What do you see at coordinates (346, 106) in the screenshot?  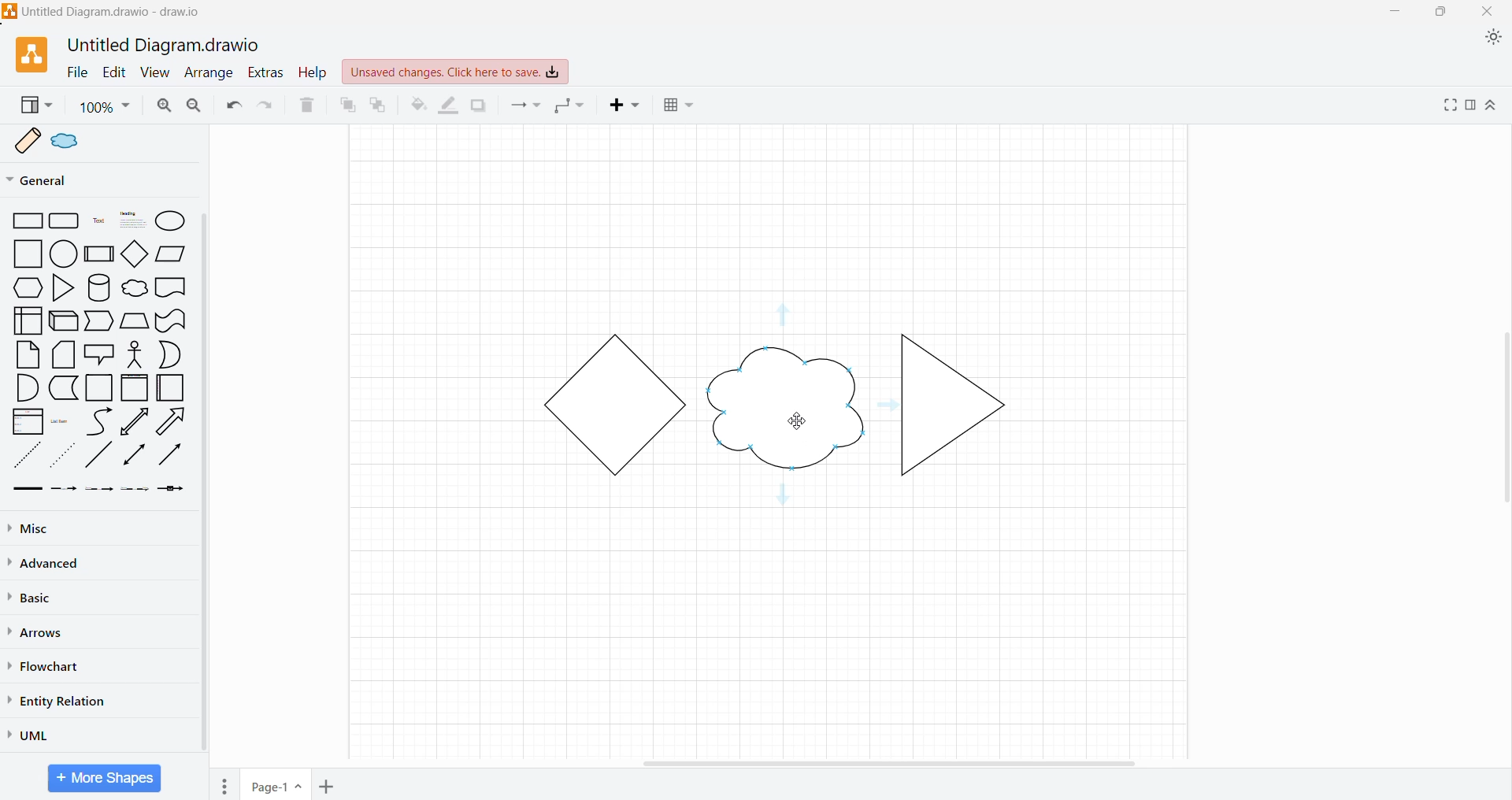 I see `To Front` at bounding box center [346, 106].